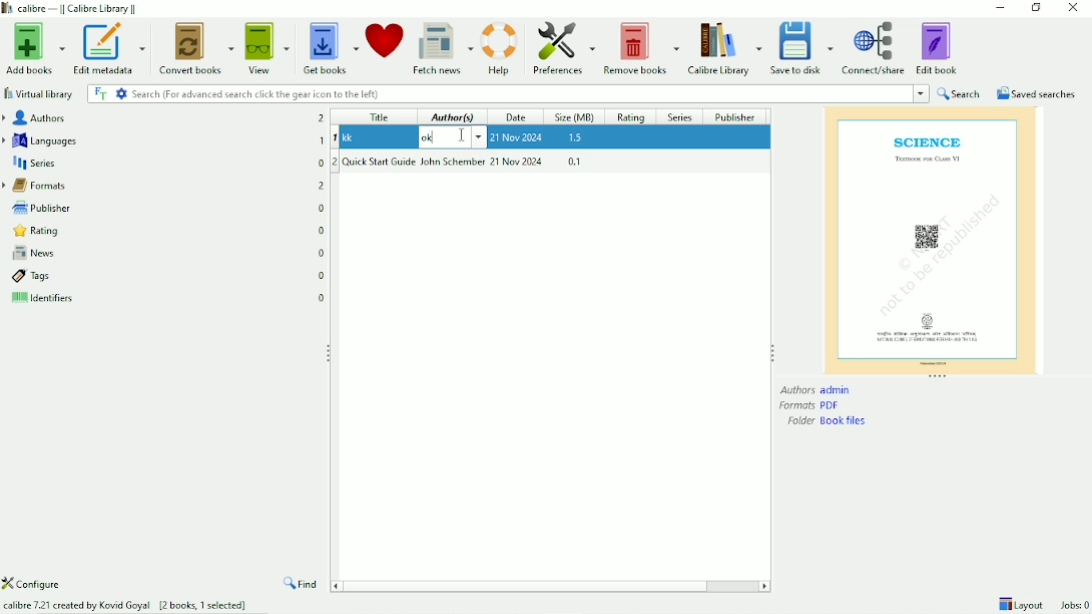  What do you see at coordinates (1036, 8) in the screenshot?
I see `Restore down` at bounding box center [1036, 8].